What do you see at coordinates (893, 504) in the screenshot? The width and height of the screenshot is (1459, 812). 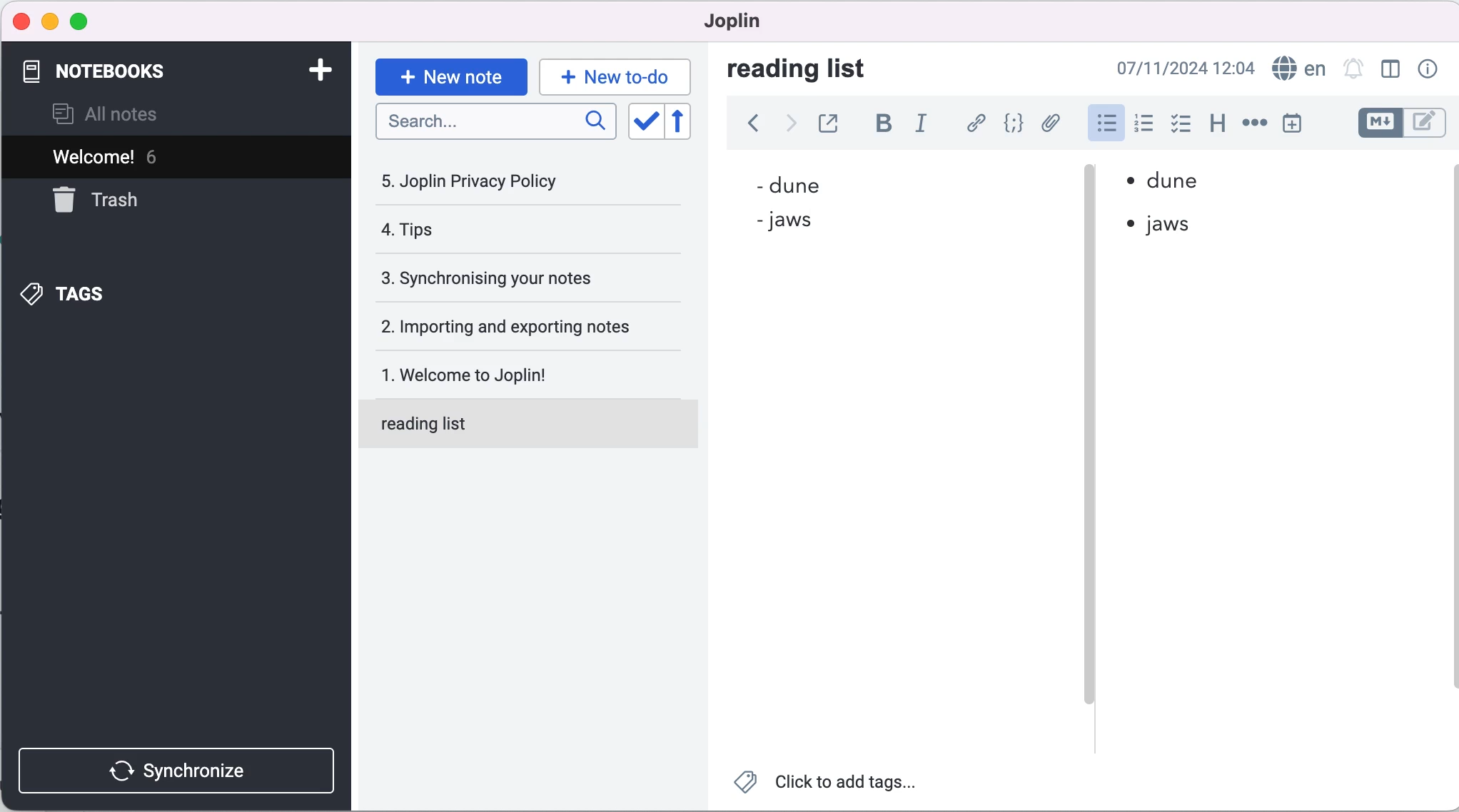 I see `blank canvas note 1` at bounding box center [893, 504].